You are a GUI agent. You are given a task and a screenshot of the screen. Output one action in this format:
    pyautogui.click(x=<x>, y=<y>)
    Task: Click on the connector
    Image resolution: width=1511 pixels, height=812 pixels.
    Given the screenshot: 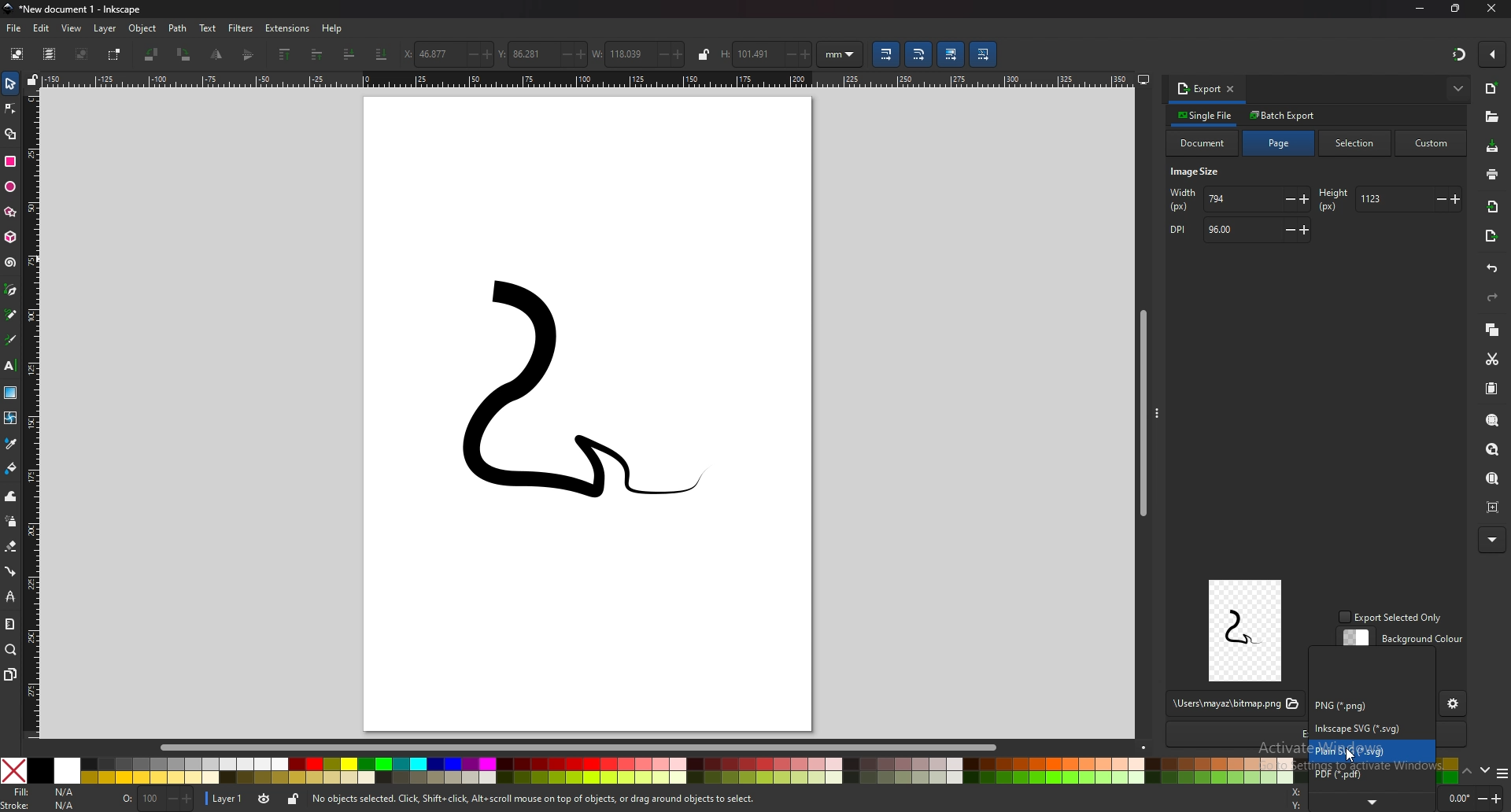 What is the action you would take?
    pyautogui.click(x=10, y=570)
    